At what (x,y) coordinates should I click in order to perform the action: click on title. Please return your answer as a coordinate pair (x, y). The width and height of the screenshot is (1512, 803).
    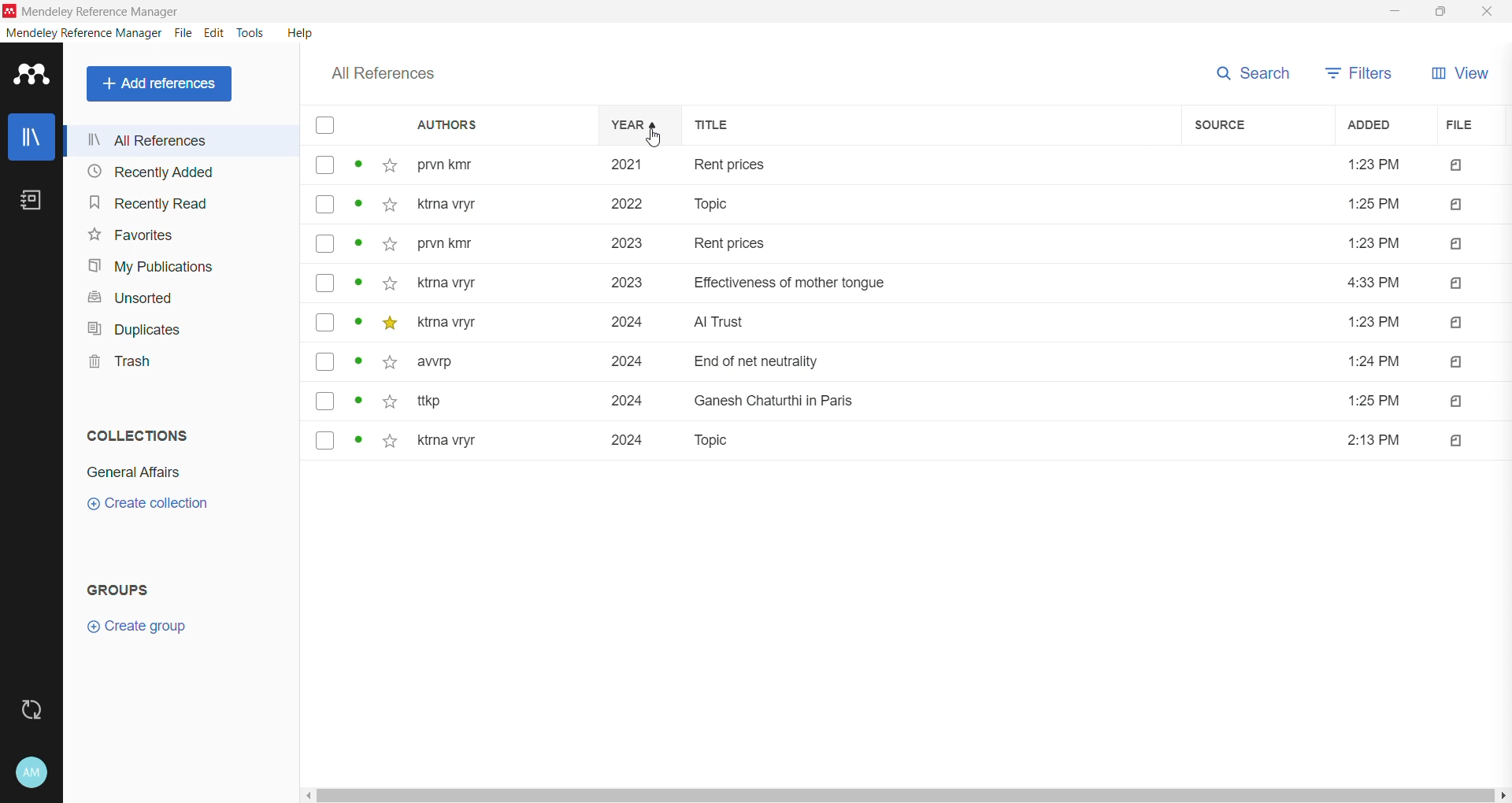
    Looking at the image, I should click on (713, 125).